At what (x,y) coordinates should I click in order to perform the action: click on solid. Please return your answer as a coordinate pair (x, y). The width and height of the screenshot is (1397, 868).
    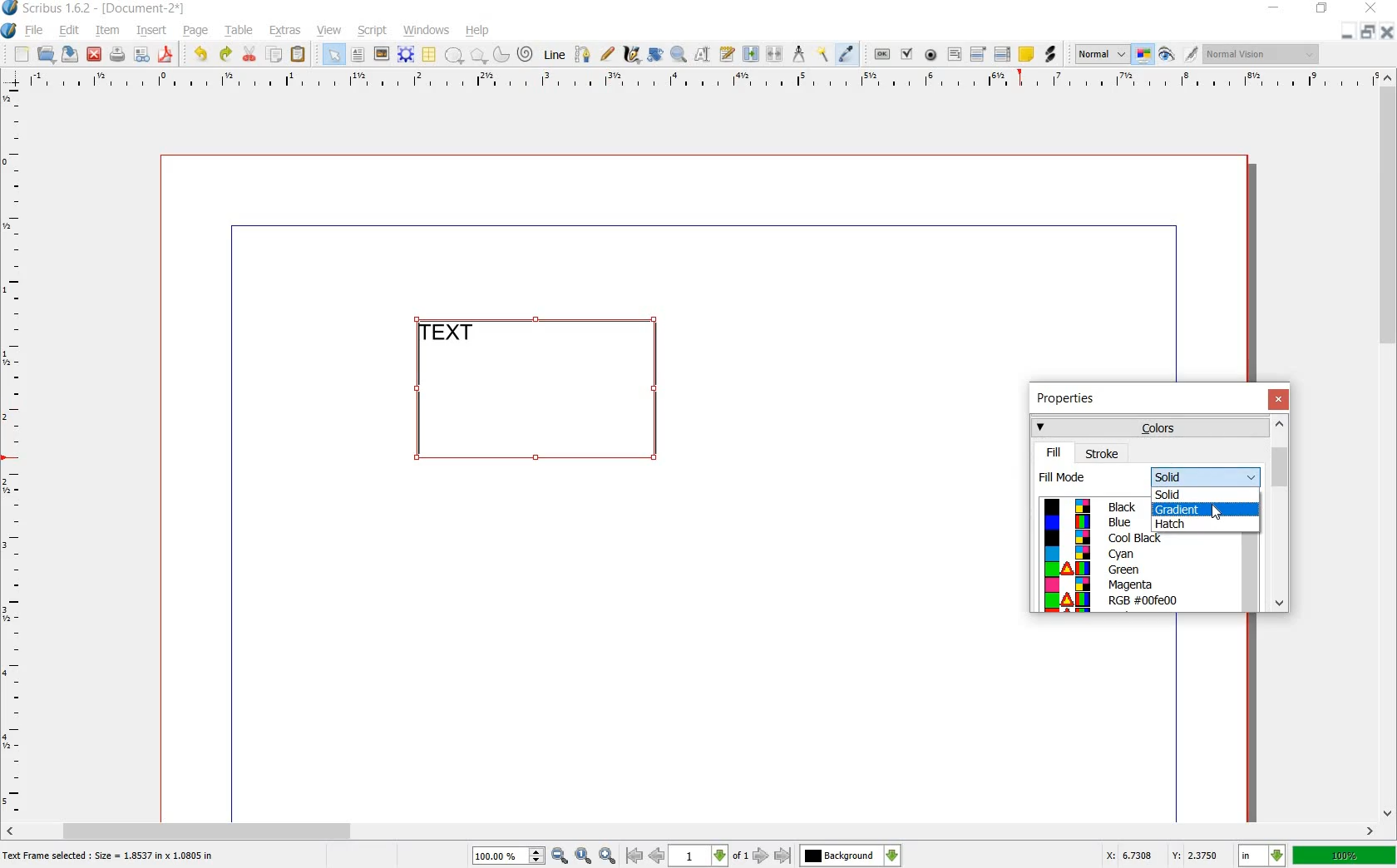
    Looking at the image, I should click on (1207, 477).